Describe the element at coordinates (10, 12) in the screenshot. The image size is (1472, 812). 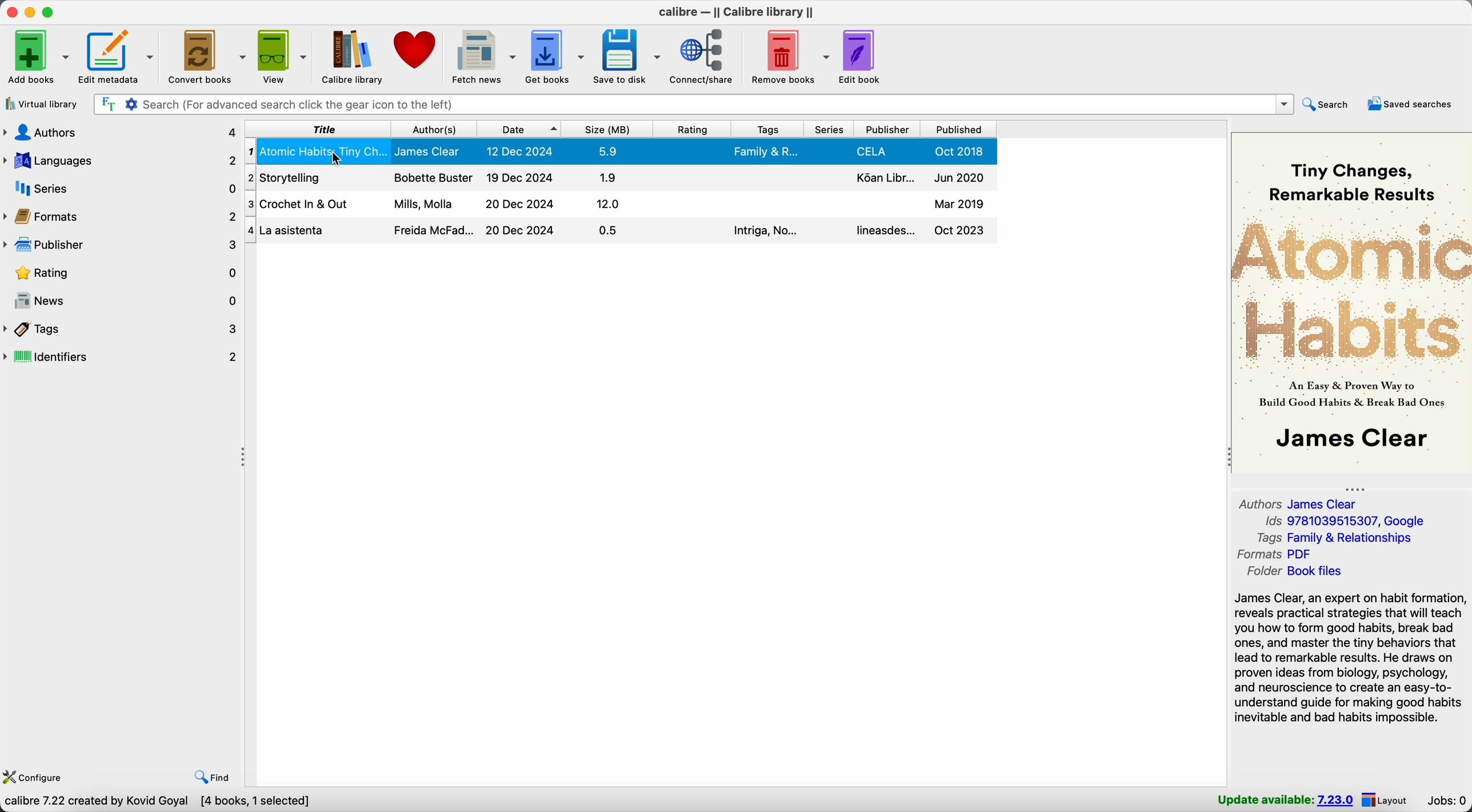
I see `close program` at that location.